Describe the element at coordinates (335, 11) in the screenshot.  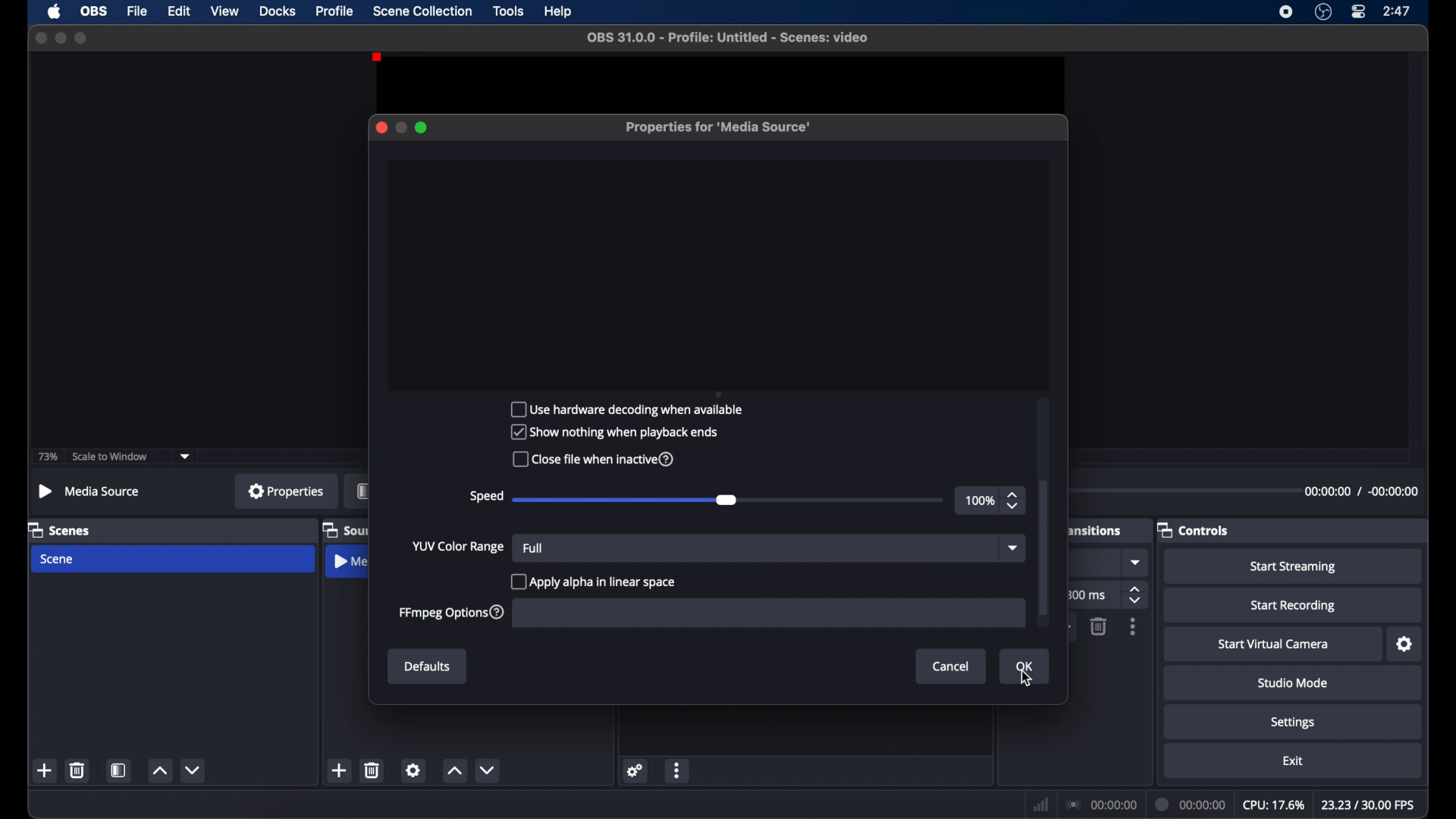
I see `profile` at that location.